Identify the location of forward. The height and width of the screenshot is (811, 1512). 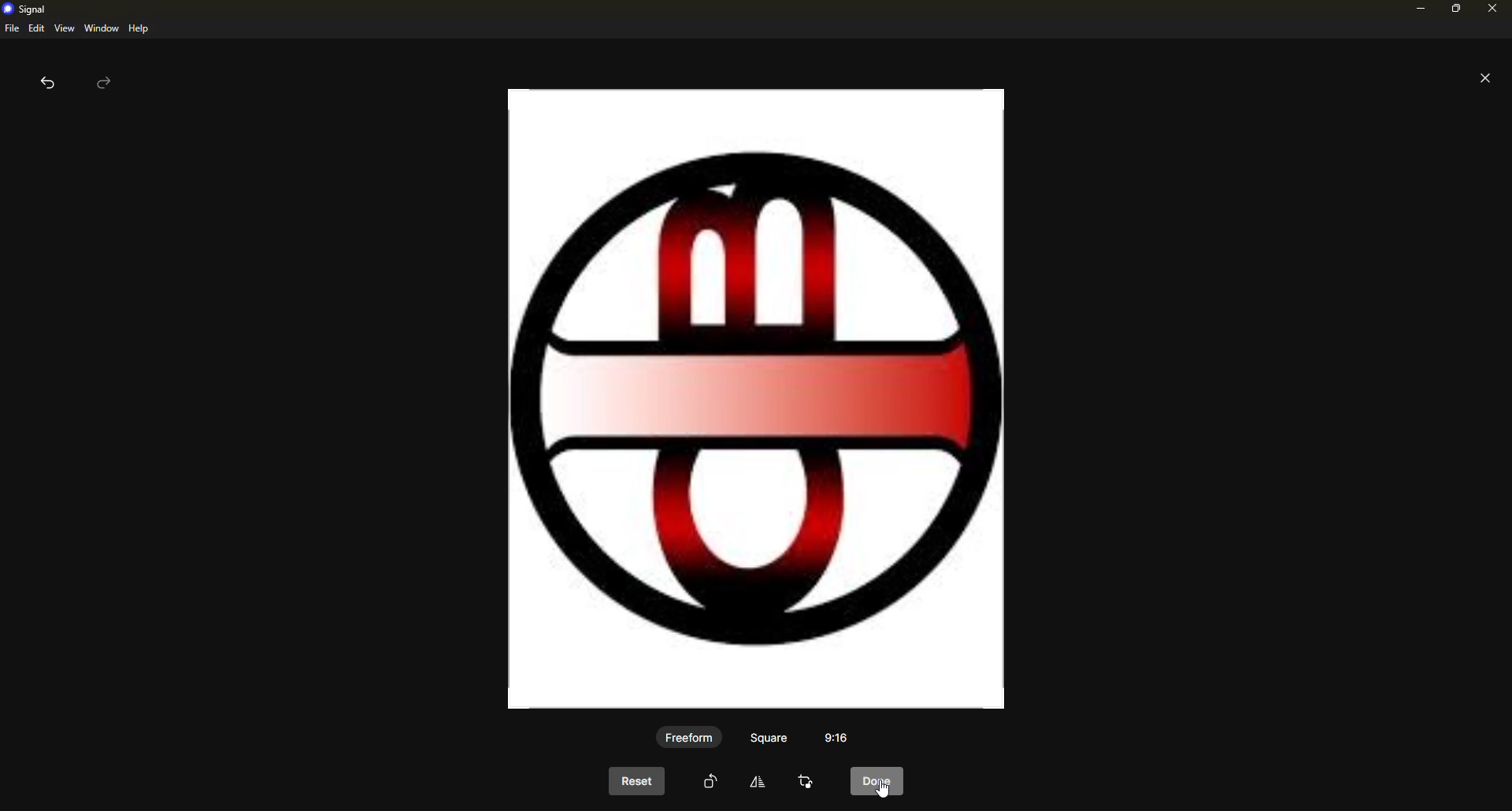
(106, 83).